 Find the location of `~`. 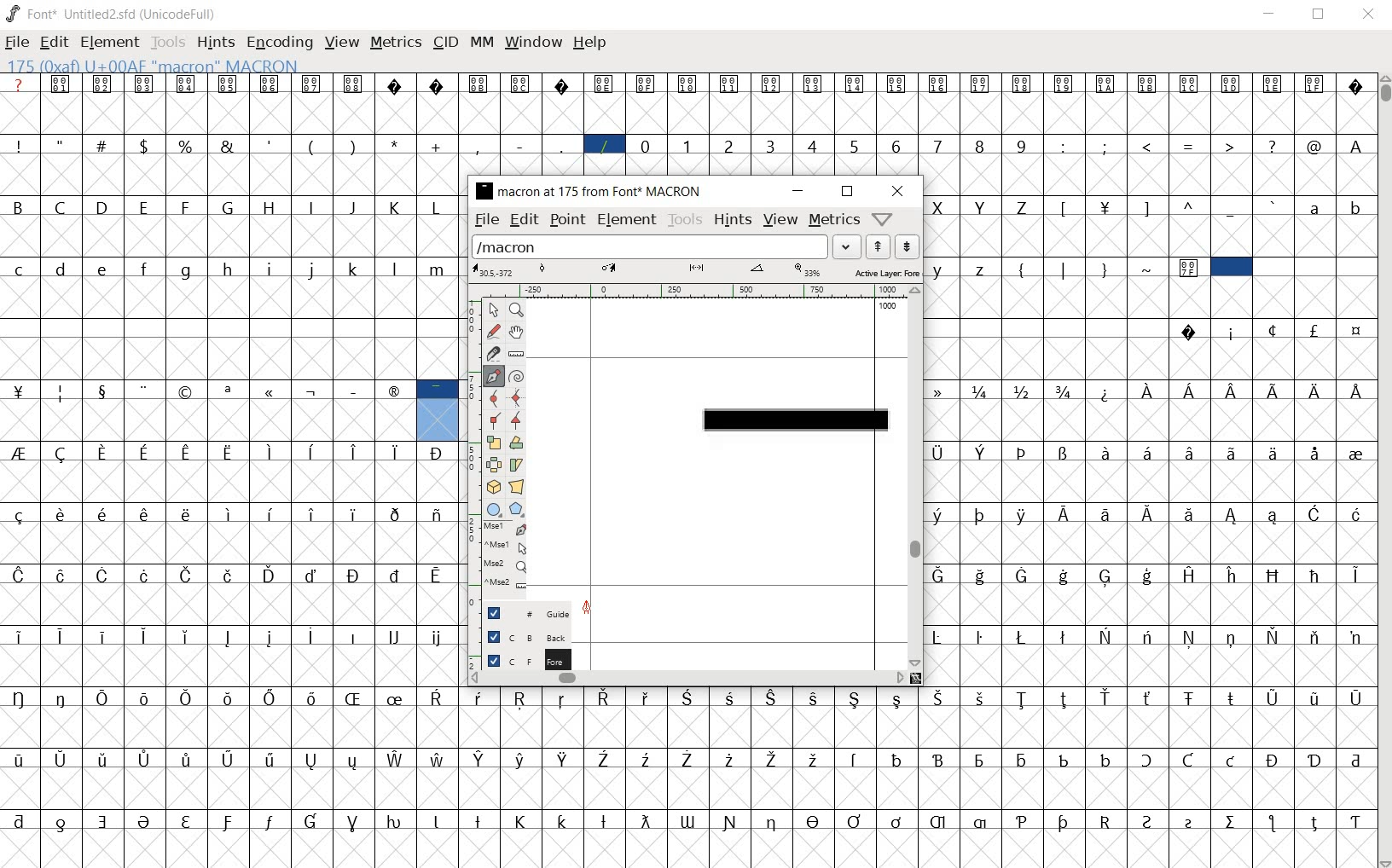

~ is located at coordinates (1149, 266).